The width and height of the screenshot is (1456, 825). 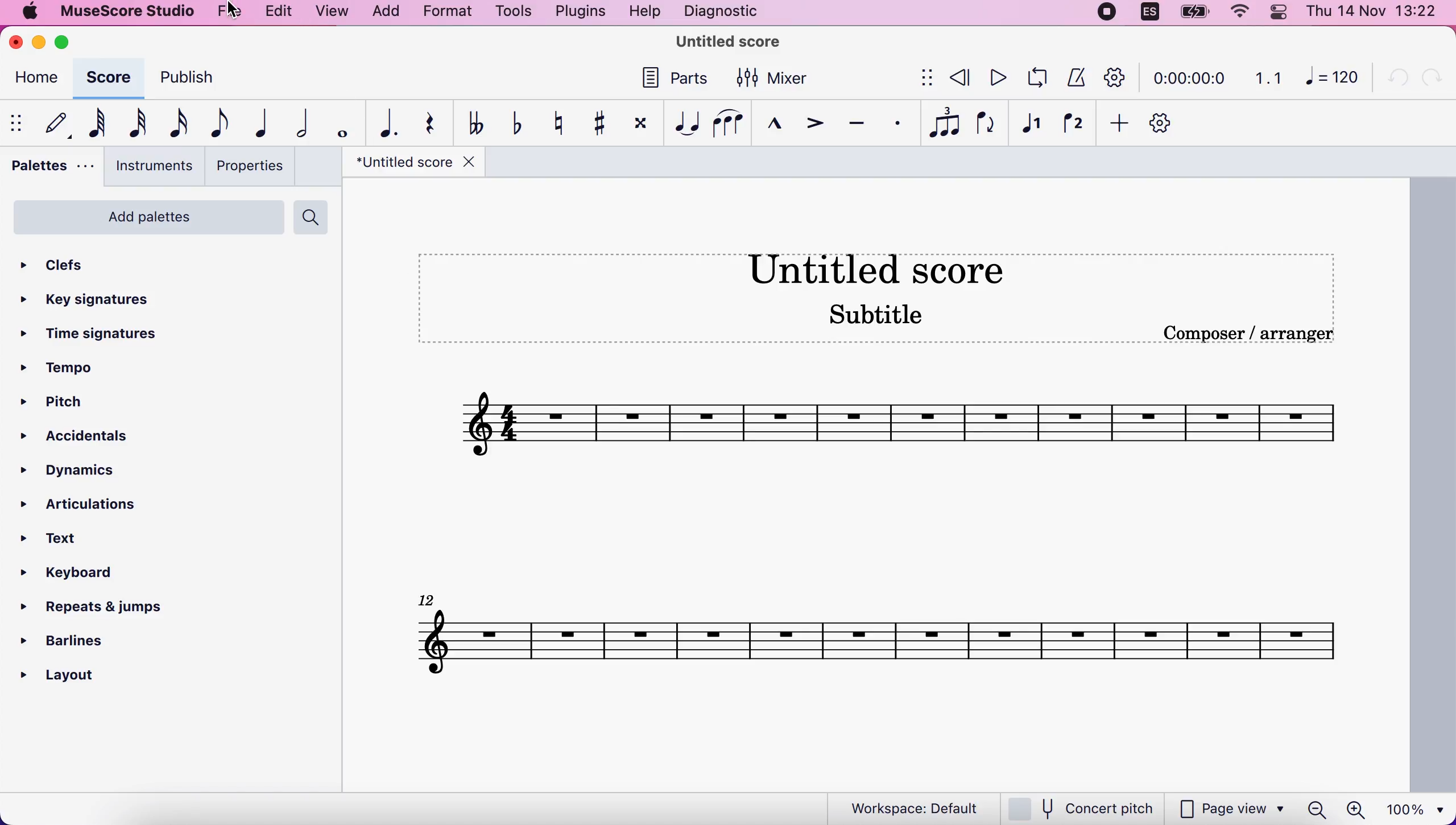 I want to click on add palettes, so click(x=148, y=216).